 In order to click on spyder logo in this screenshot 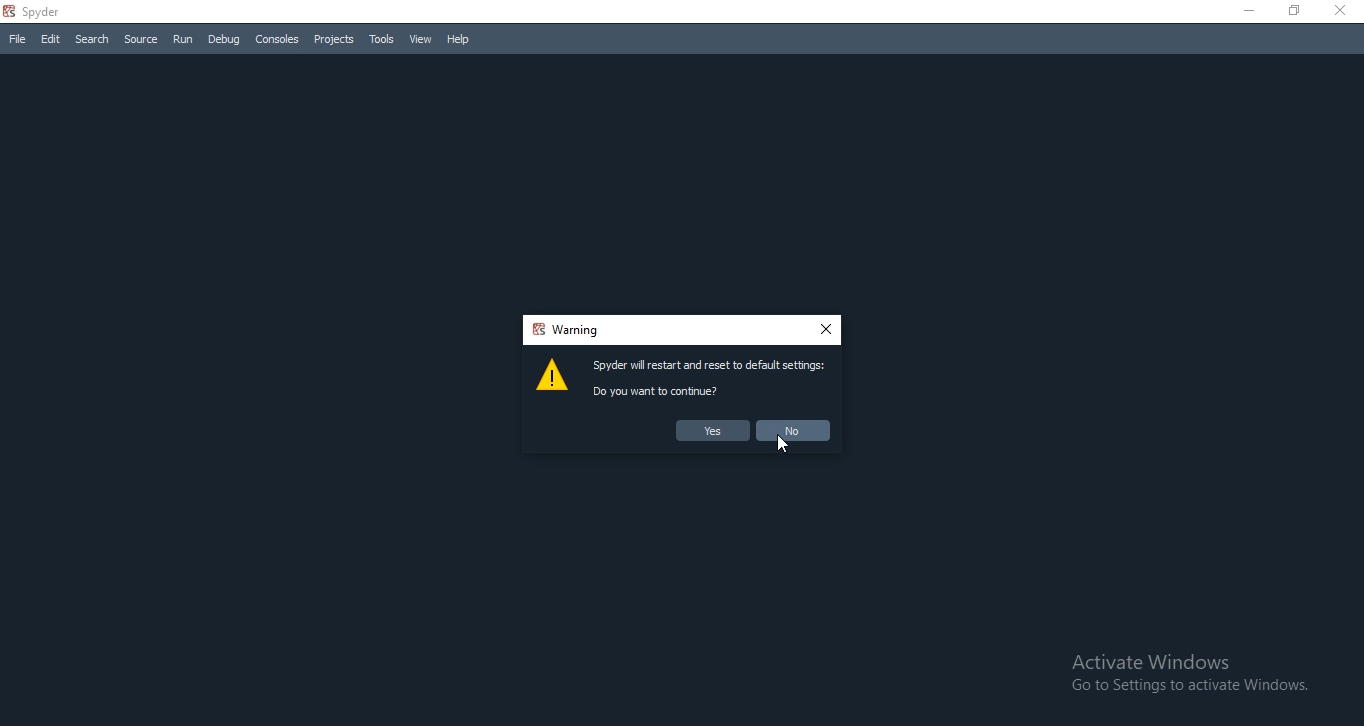, I will do `click(12, 11)`.